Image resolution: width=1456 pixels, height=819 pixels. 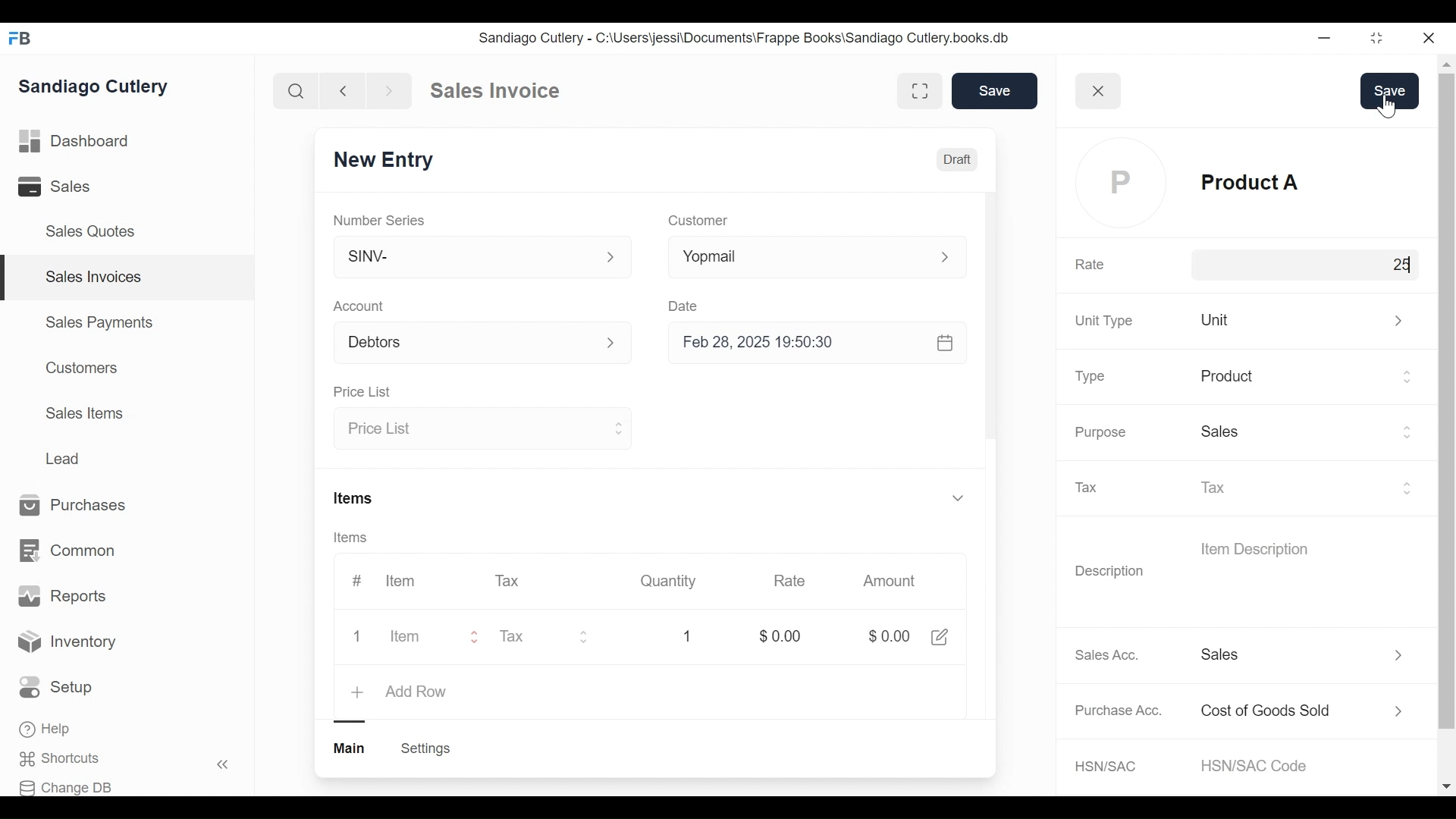 What do you see at coordinates (822, 345) in the screenshot?
I see `Feb 28, 2025 19:50:30 &` at bounding box center [822, 345].